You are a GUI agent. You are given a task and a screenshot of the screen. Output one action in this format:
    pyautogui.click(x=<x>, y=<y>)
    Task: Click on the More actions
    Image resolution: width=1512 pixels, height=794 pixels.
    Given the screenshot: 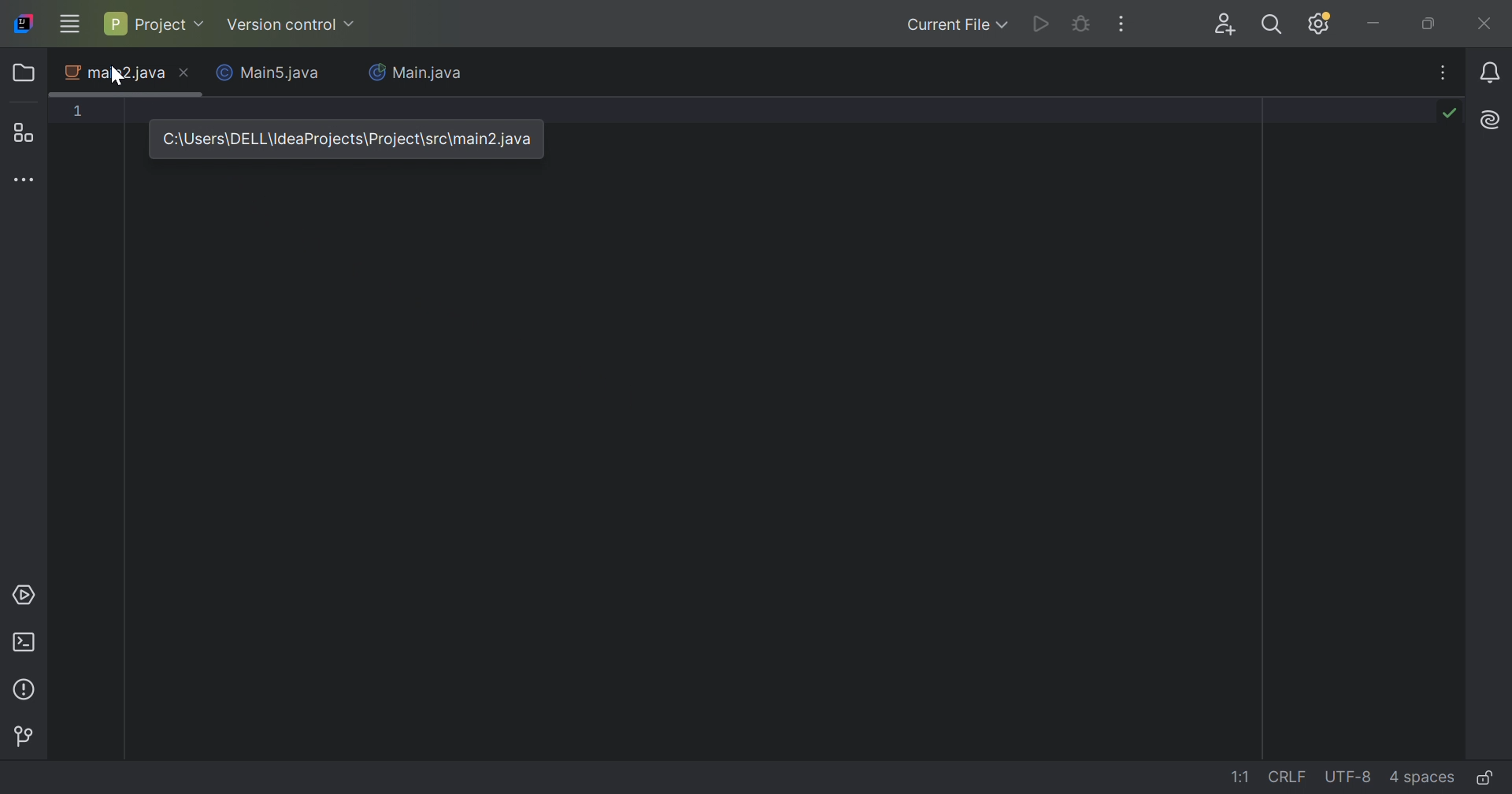 What is the action you would take?
    pyautogui.click(x=1119, y=24)
    